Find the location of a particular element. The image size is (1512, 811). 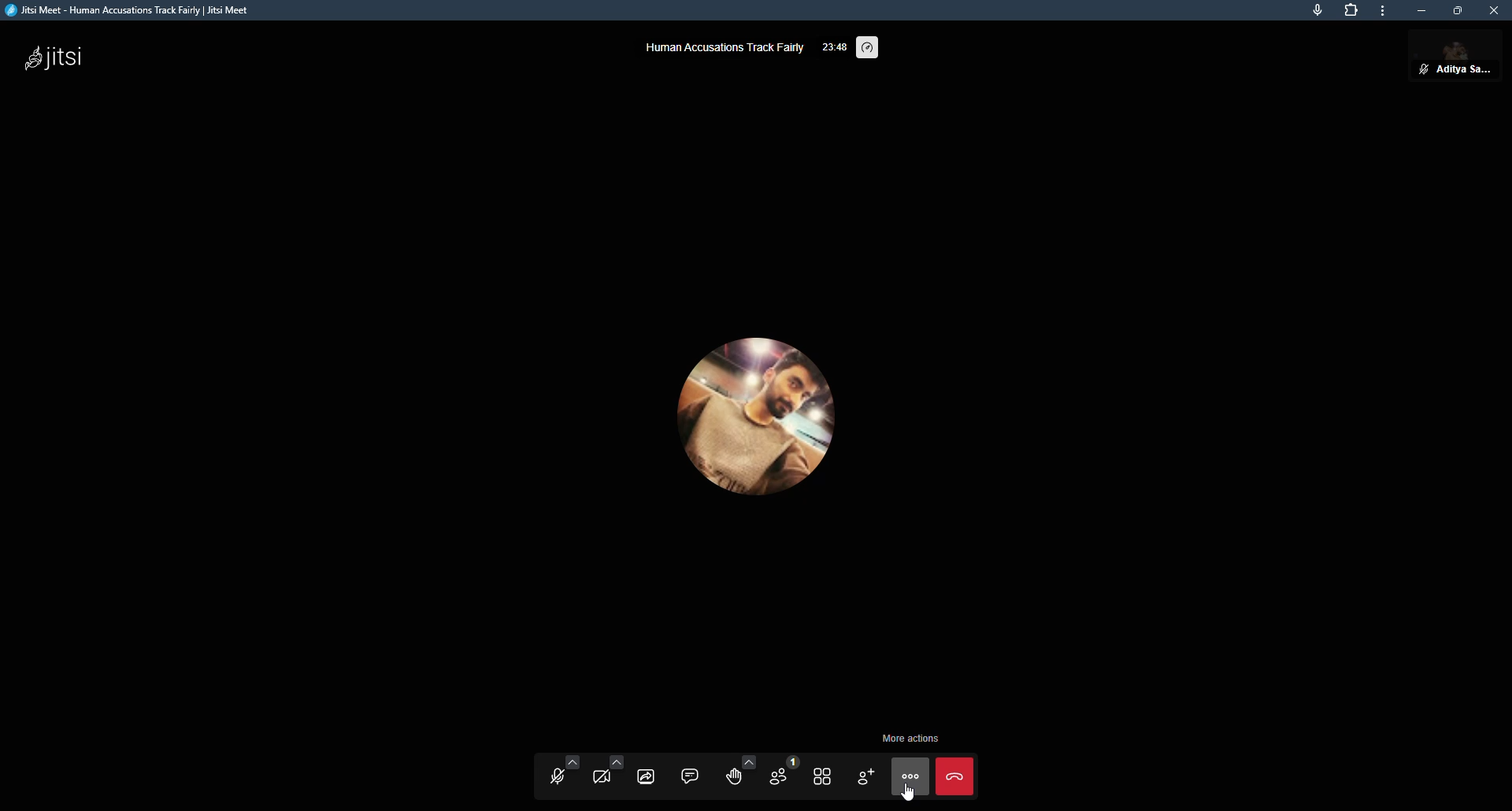

profile is located at coordinates (1467, 60).